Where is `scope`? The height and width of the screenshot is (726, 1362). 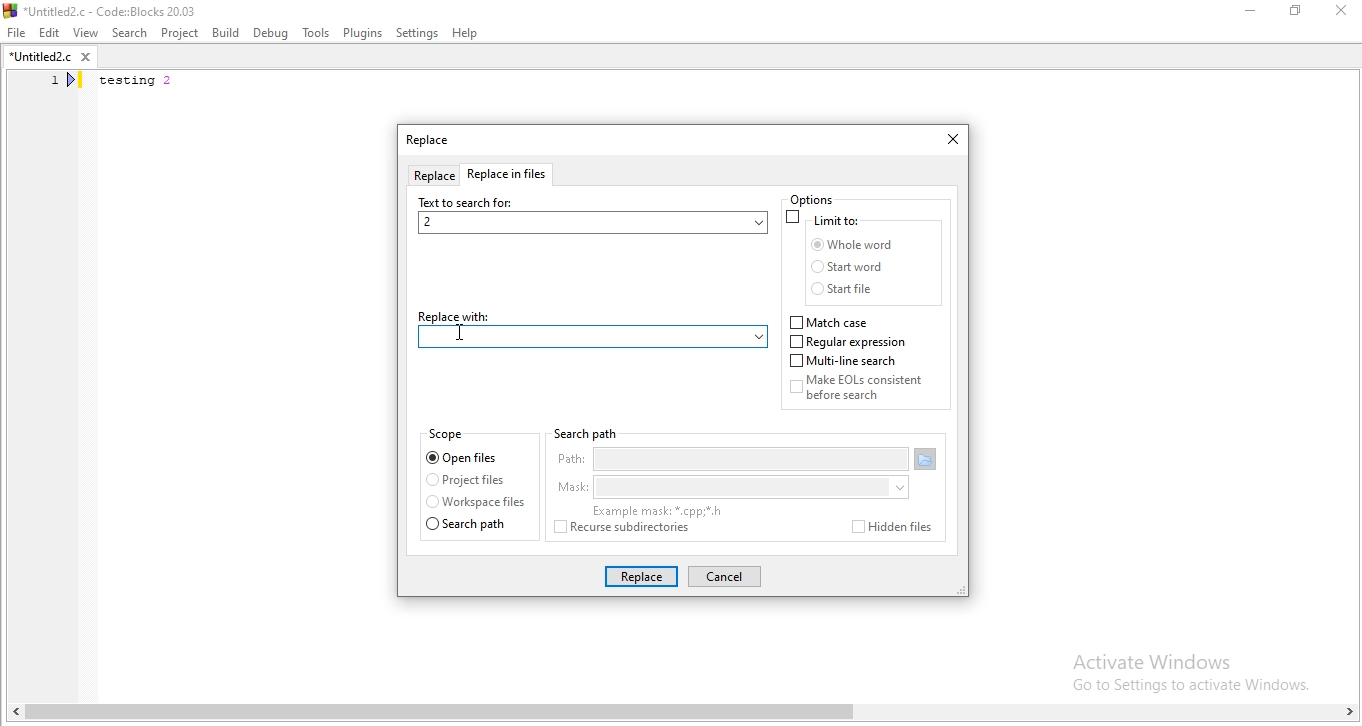
scope is located at coordinates (449, 435).